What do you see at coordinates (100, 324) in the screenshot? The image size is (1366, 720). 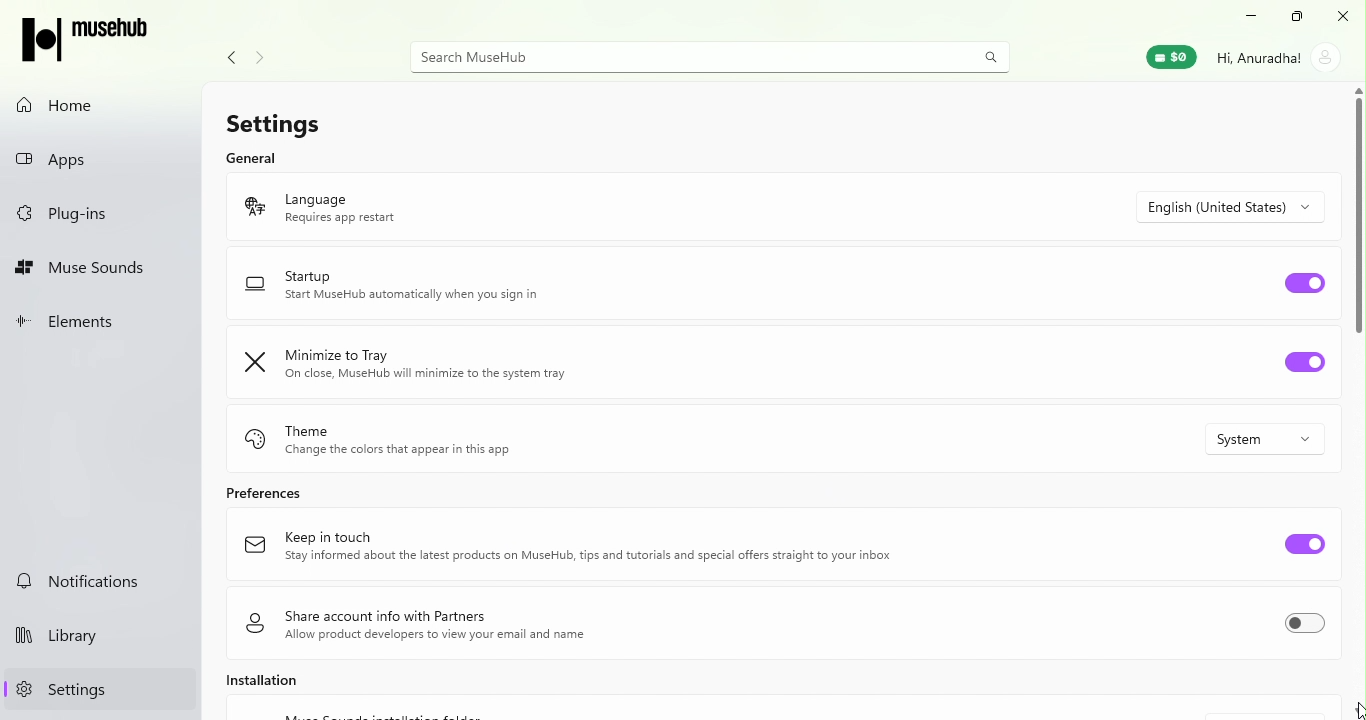 I see `Elements` at bounding box center [100, 324].